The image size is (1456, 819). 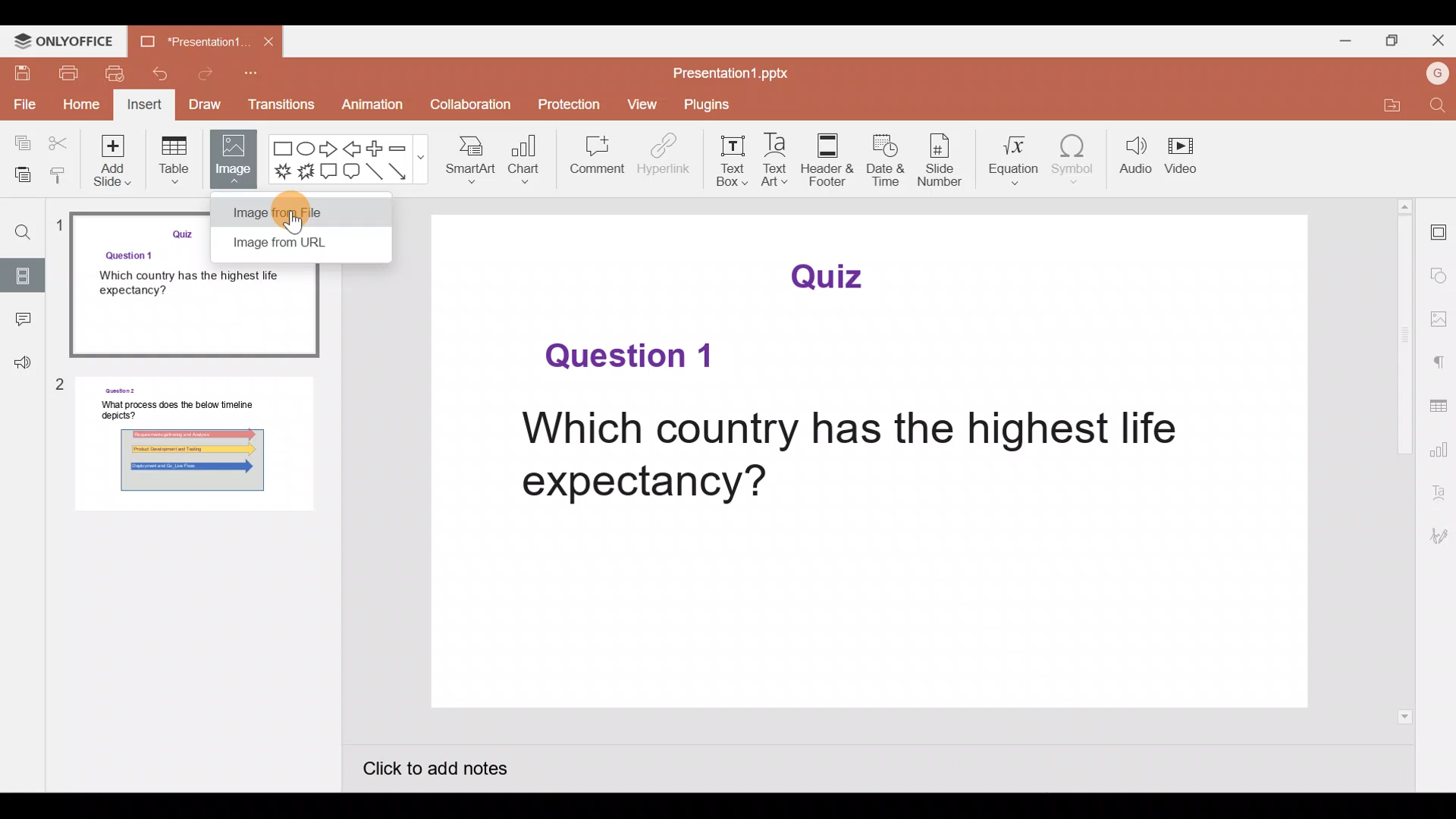 I want to click on Comment, so click(x=21, y=324).